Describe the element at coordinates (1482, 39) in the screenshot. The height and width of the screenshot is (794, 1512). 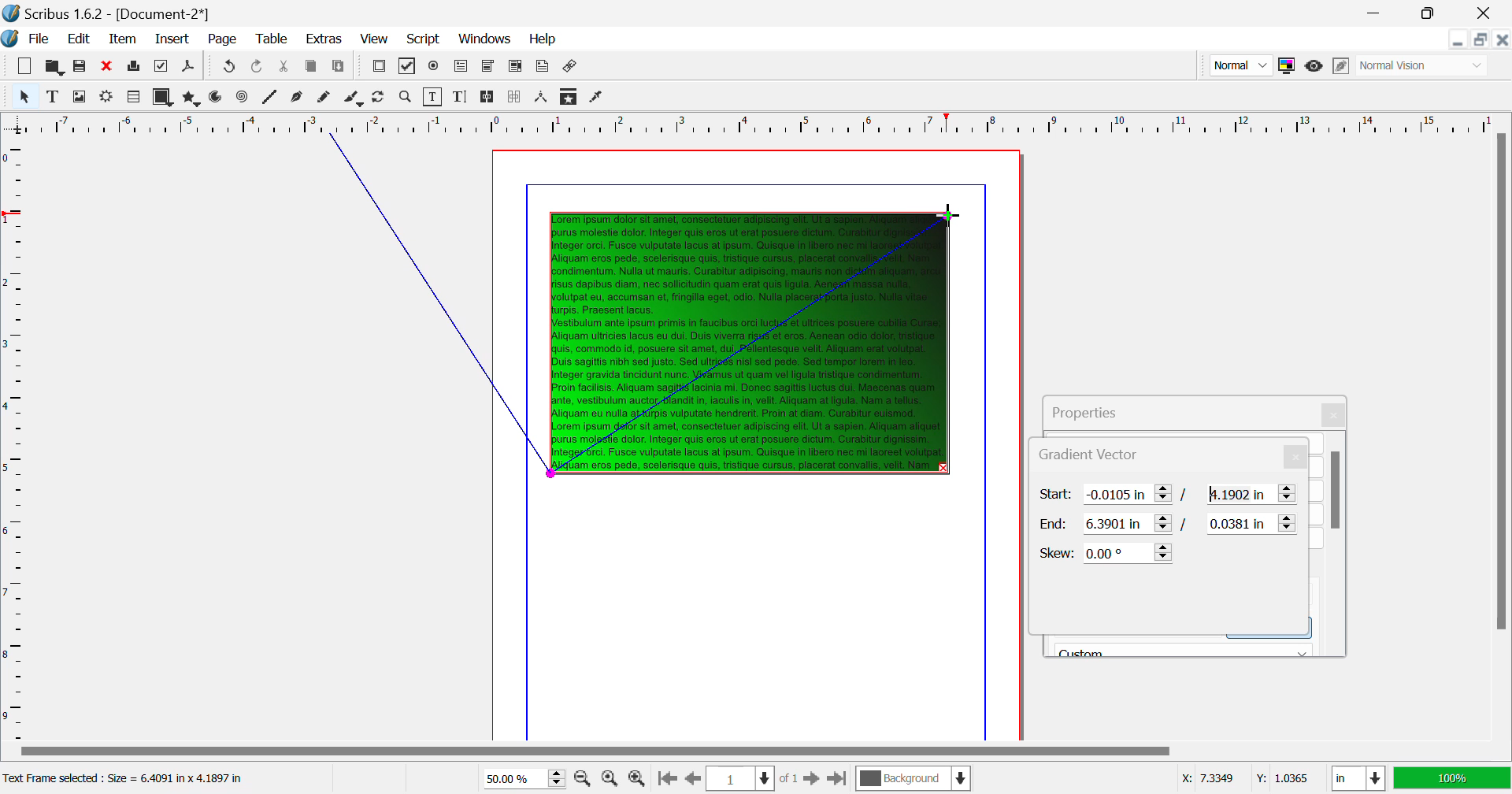
I see `Minimize` at that location.